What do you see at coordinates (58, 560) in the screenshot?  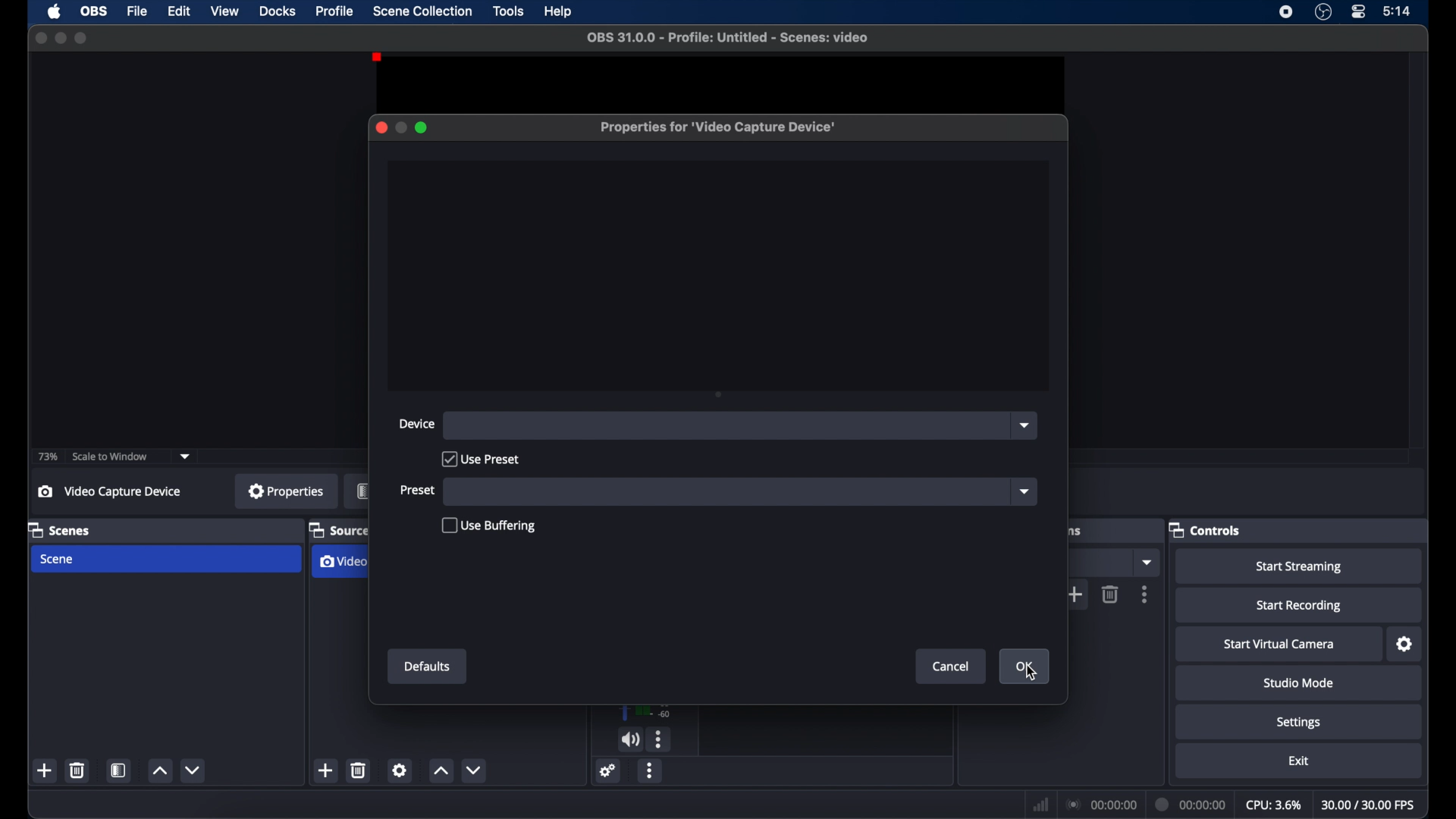 I see `scene` at bounding box center [58, 560].